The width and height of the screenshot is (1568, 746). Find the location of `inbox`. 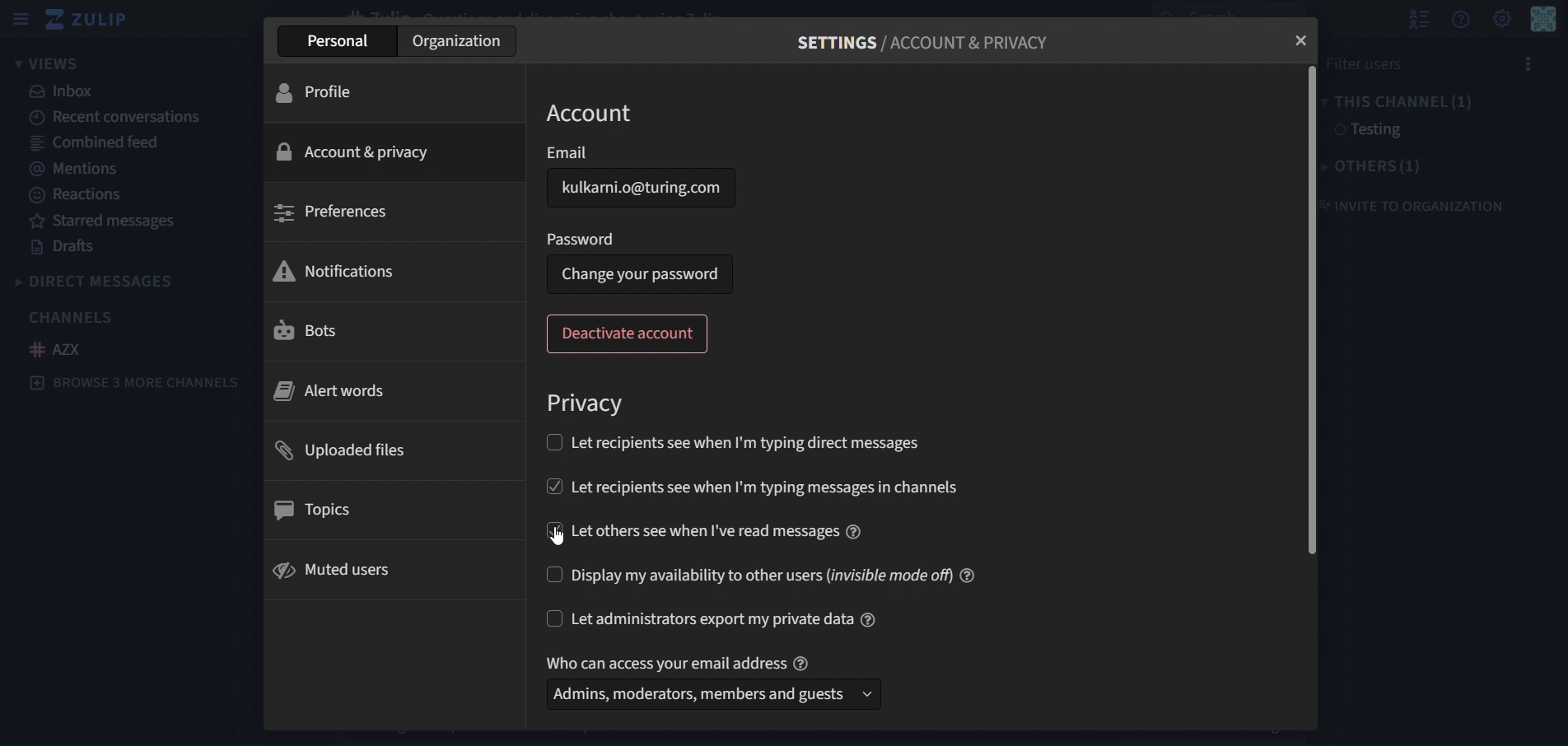

inbox is located at coordinates (65, 93).